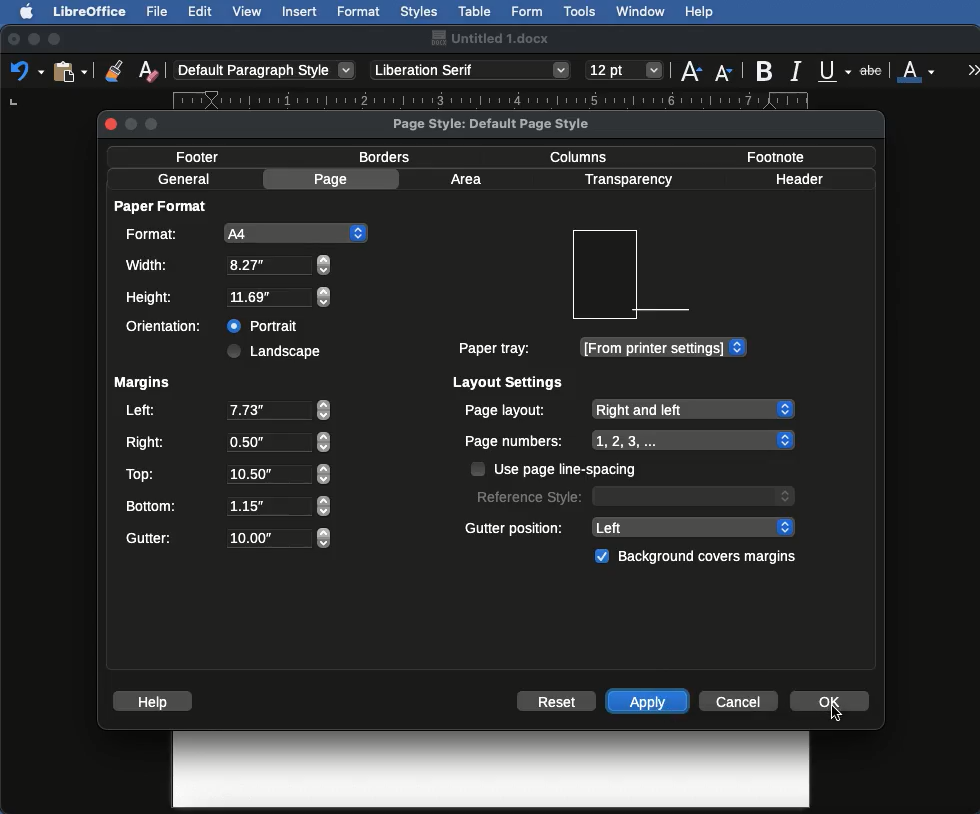  Describe the element at coordinates (766, 71) in the screenshot. I see `Bold` at that location.